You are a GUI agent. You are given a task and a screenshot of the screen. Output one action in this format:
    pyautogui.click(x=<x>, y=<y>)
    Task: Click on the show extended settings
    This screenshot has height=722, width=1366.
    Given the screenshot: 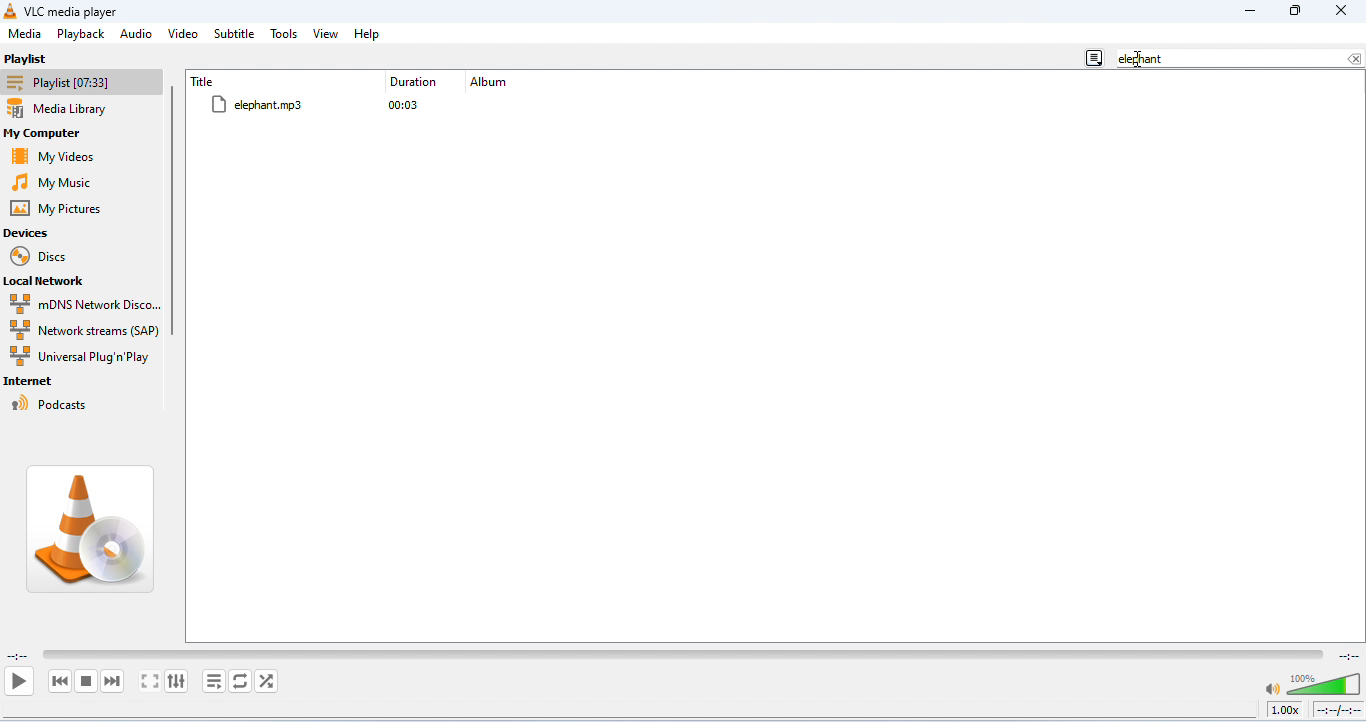 What is the action you would take?
    pyautogui.click(x=178, y=682)
    